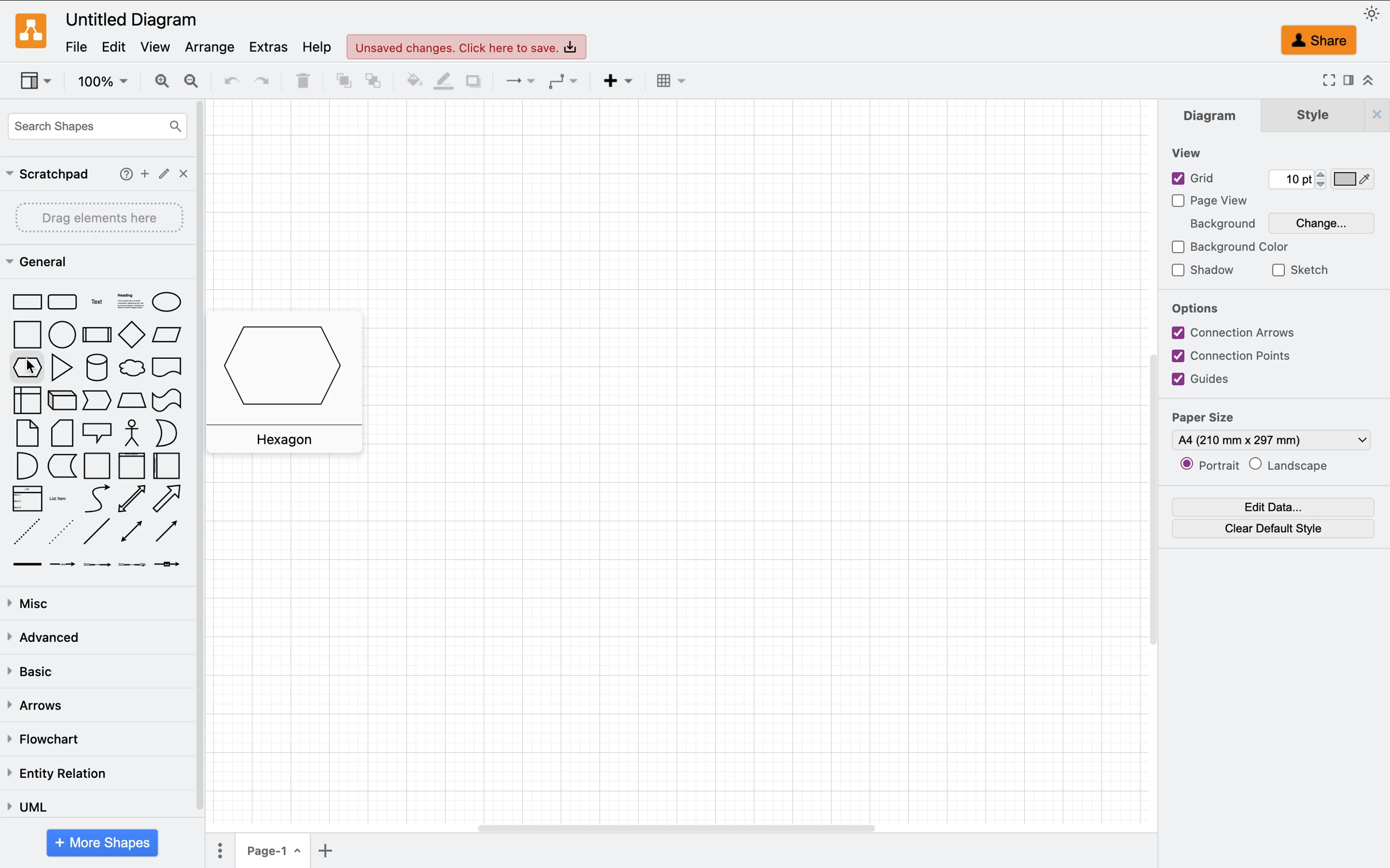 The height and width of the screenshot is (868, 1390). Describe the element at coordinates (62, 530) in the screenshot. I see `dotted line` at that location.